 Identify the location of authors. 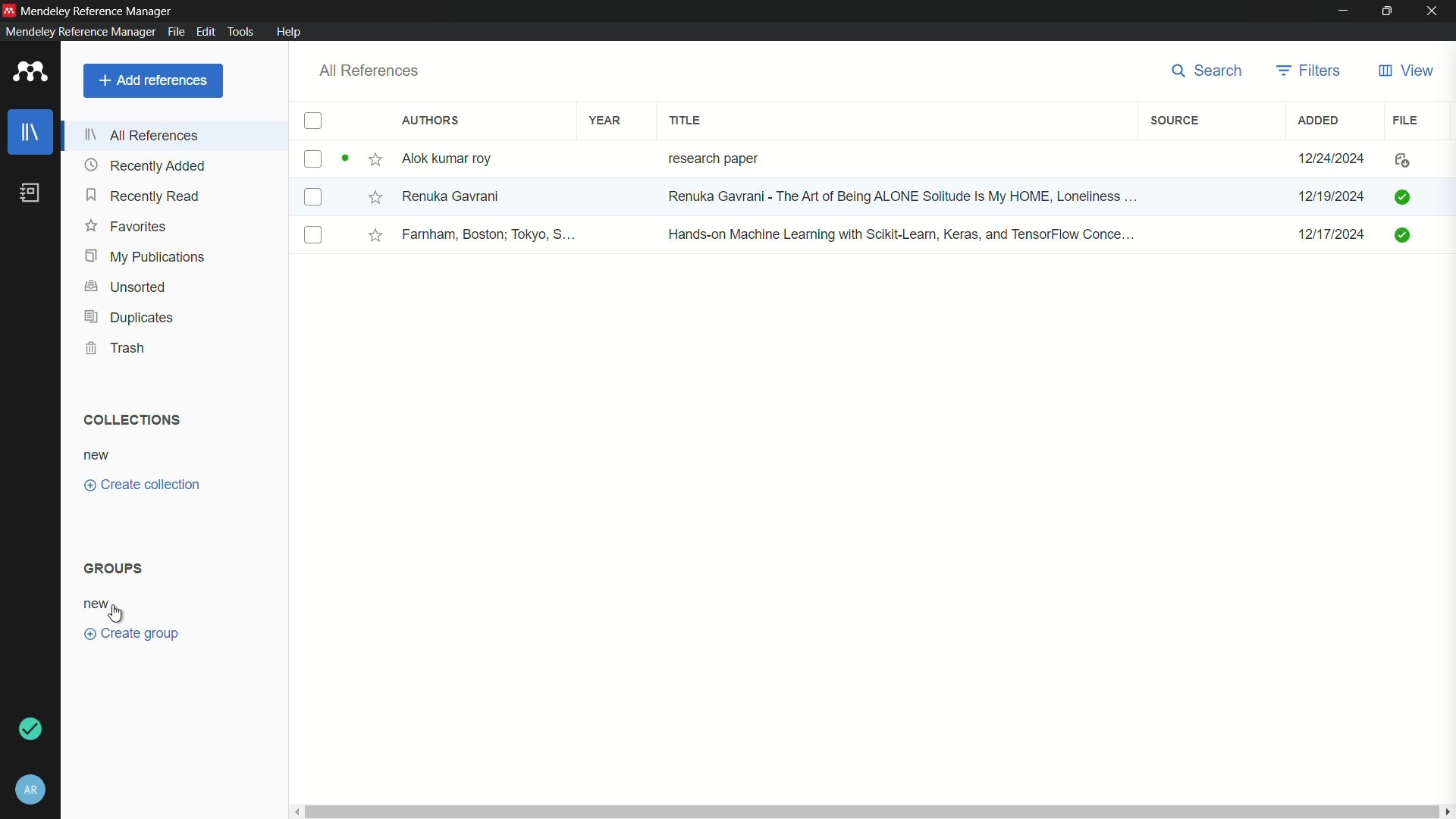
(431, 121).